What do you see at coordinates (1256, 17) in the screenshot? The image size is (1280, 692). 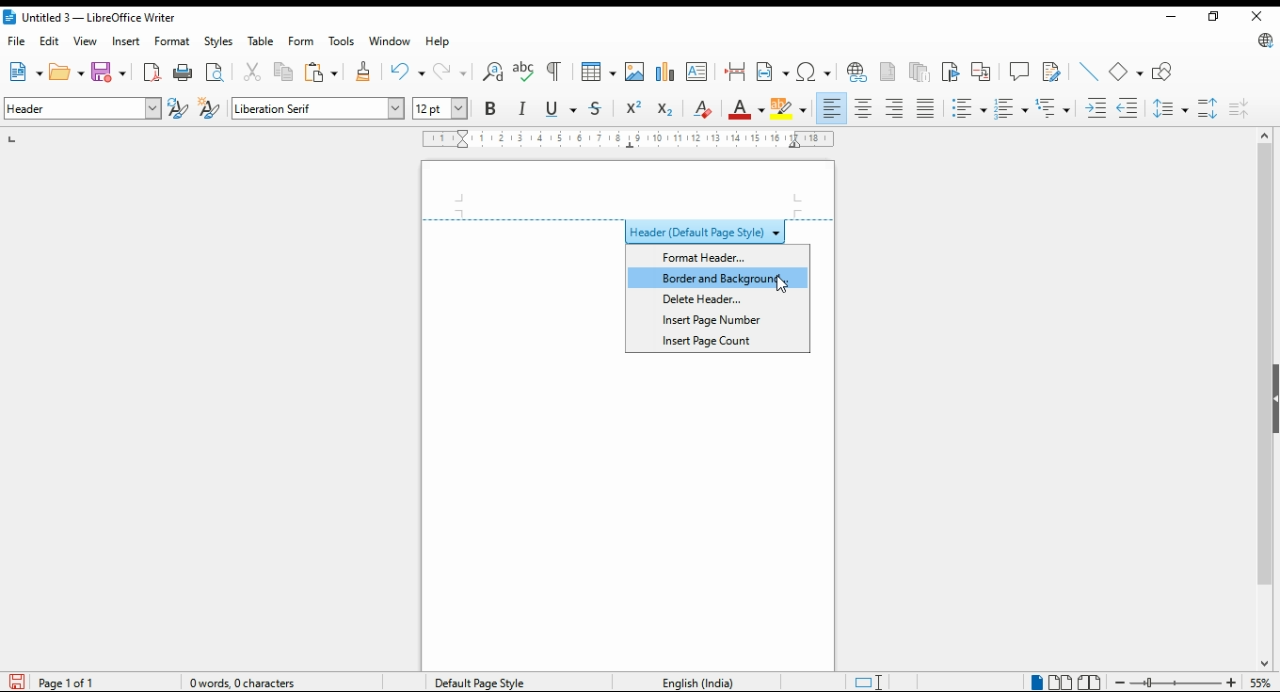 I see `close window` at bounding box center [1256, 17].